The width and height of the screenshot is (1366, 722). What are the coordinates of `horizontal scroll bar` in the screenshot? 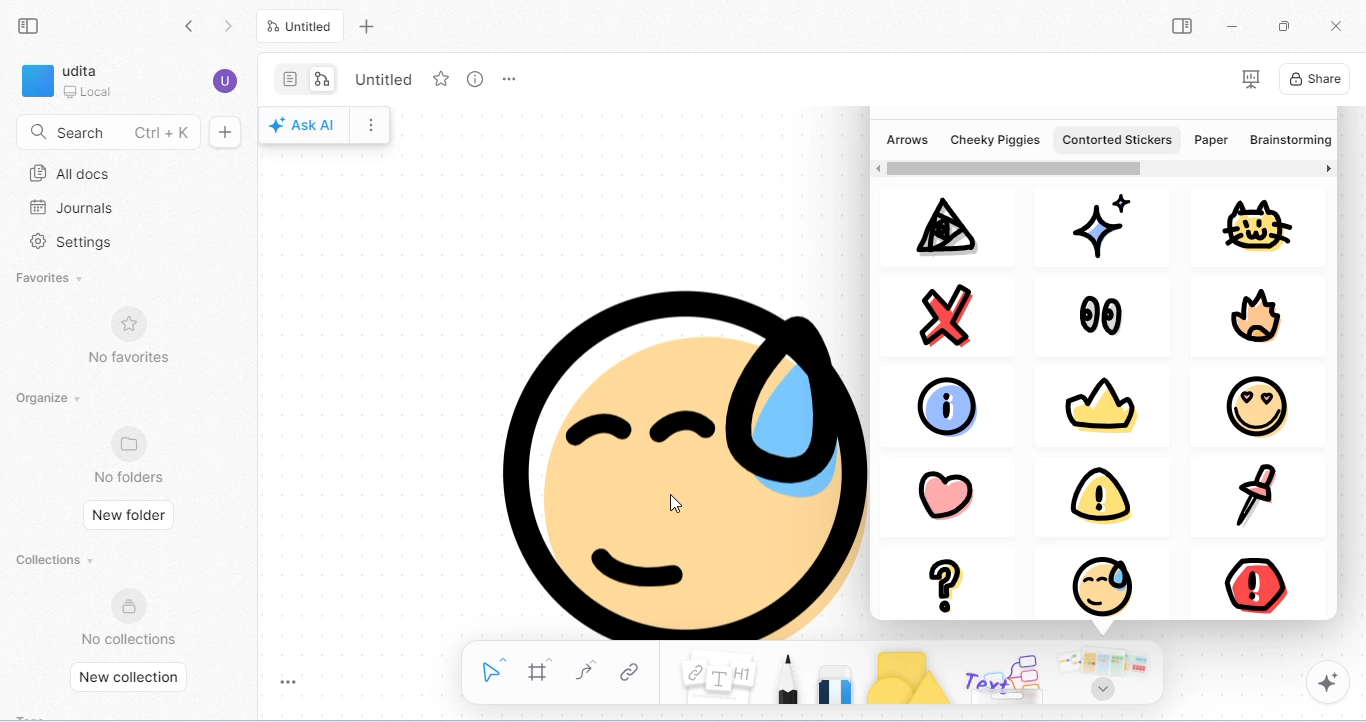 It's located at (1014, 167).